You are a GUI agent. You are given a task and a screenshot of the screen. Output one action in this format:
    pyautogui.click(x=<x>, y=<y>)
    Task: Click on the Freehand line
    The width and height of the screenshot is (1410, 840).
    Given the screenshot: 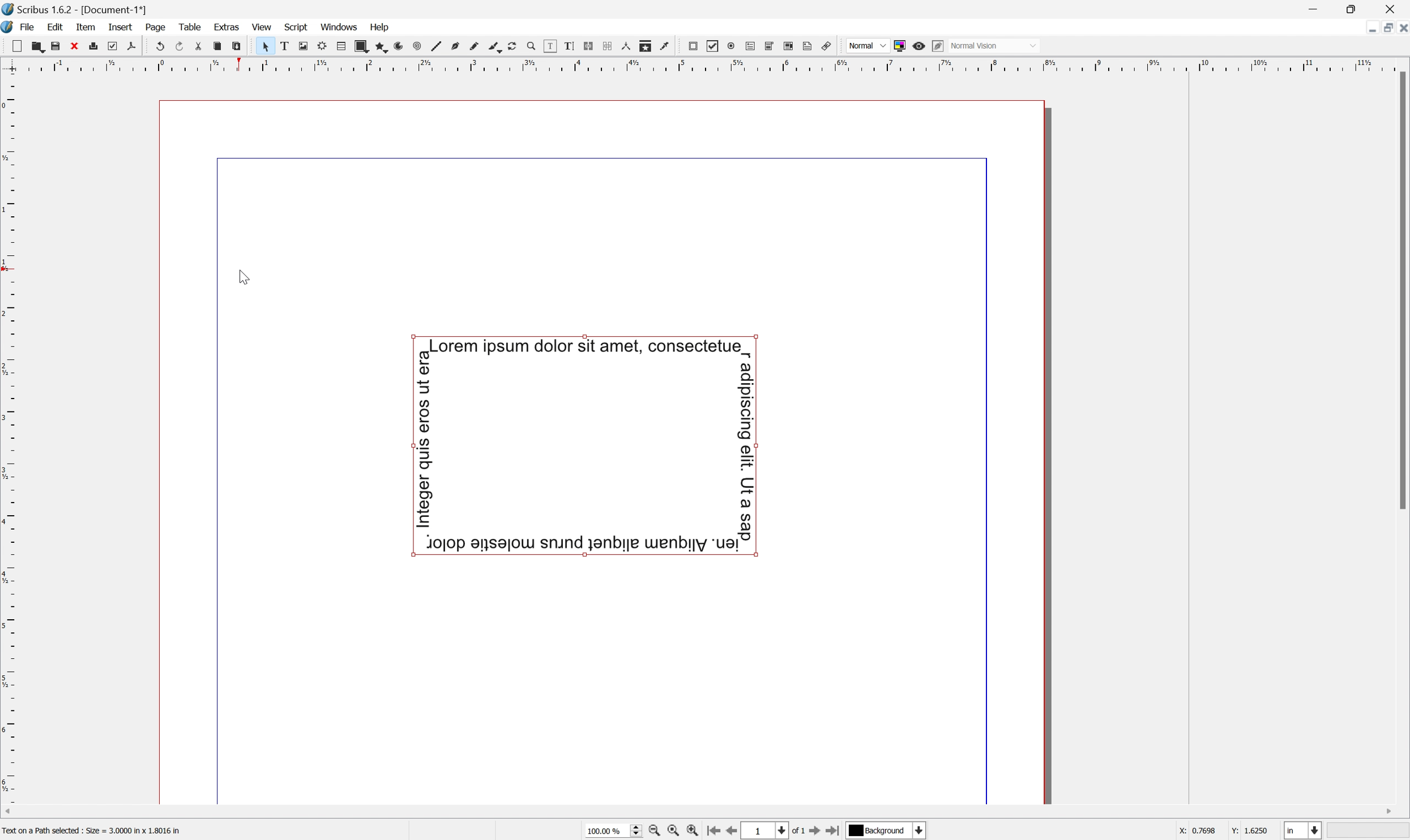 What is the action you would take?
    pyautogui.click(x=473, y=48)
    